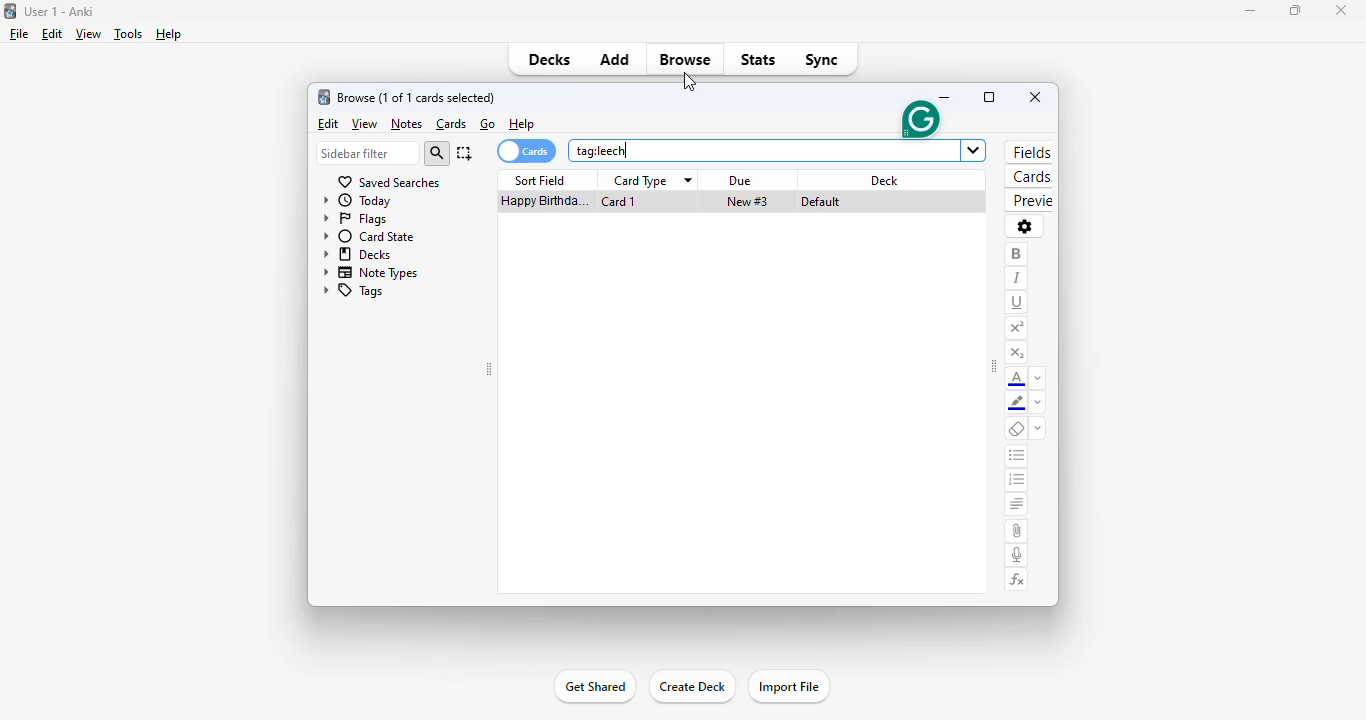 Image resolution: width=1366 pixels, height=720 pixels. I want to click on fields, so click(1031, 152).